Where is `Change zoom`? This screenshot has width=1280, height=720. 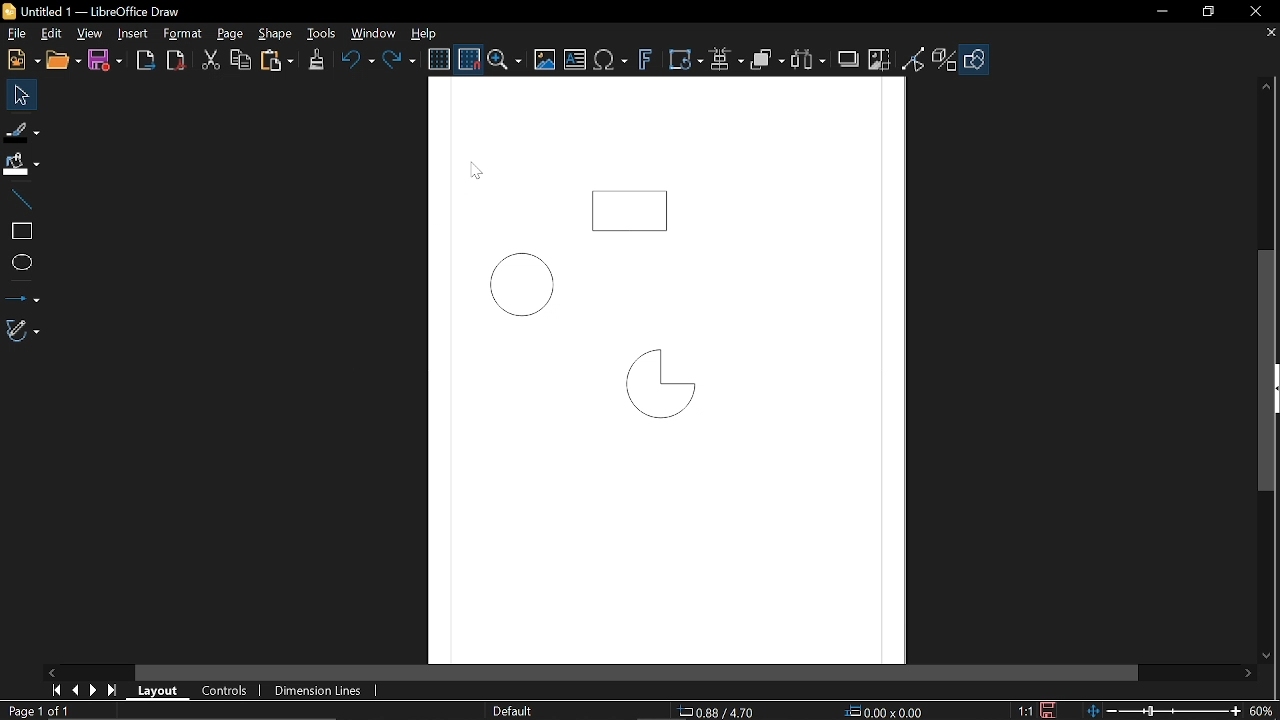
Change zoom is located at coordinates (1159, 710).